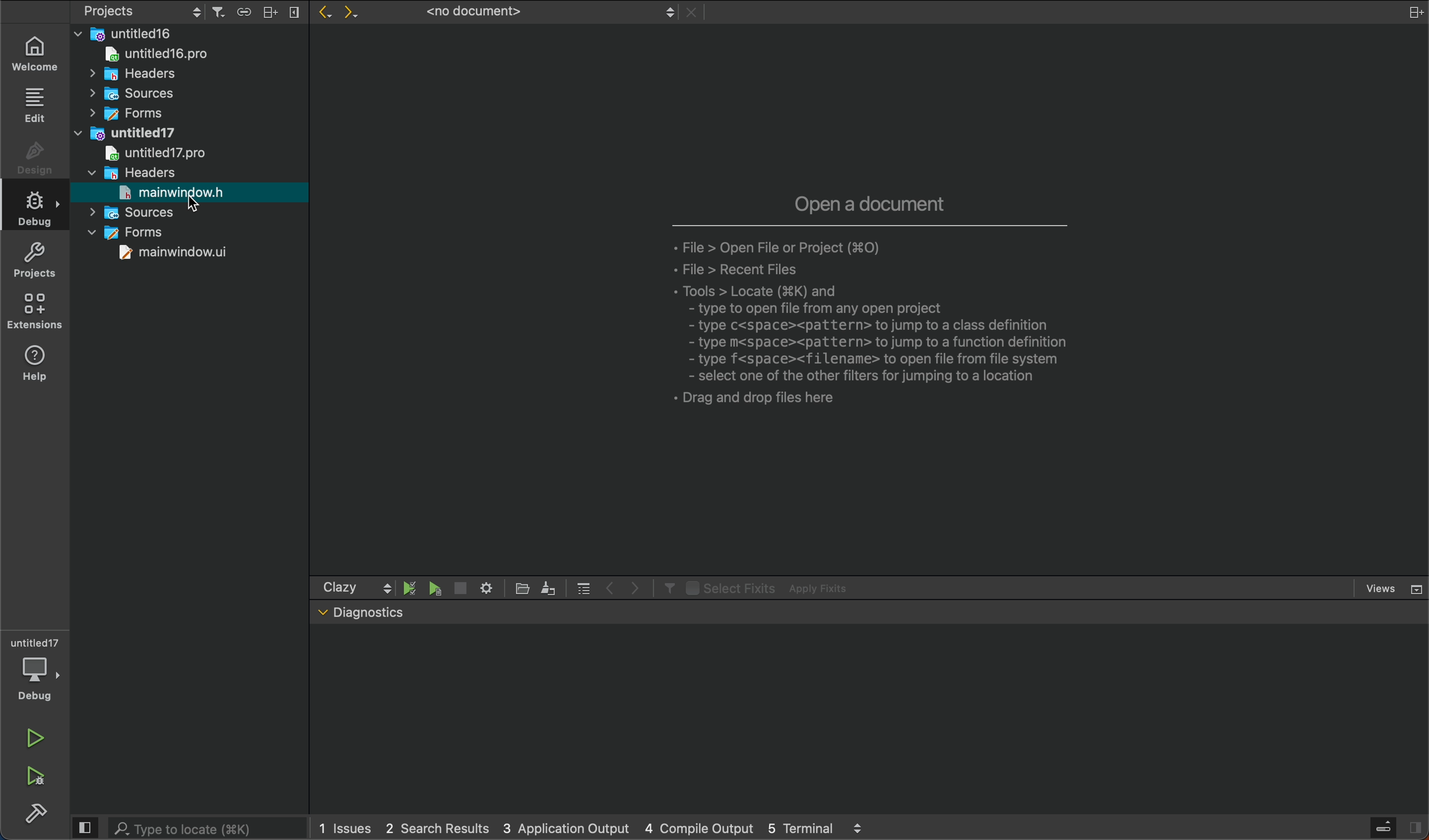 Image resolution: width=1429 pixels, height=840 pixels. Describe the element at coordinates (152, 153) in the screenshot. I see `untitled17.pro` at that location.